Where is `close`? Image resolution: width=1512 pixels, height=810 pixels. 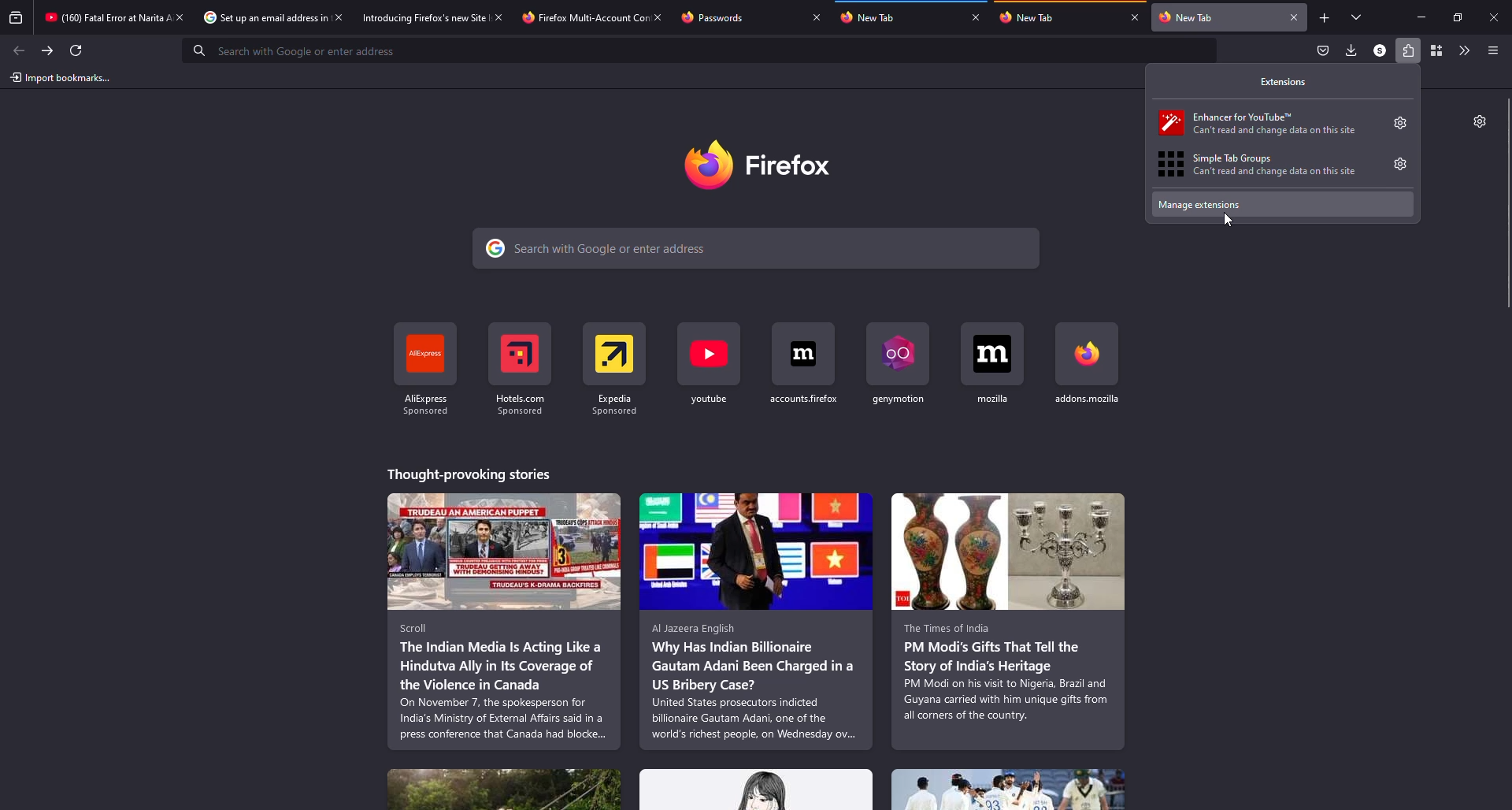
close is located at coordinates (975, 17).